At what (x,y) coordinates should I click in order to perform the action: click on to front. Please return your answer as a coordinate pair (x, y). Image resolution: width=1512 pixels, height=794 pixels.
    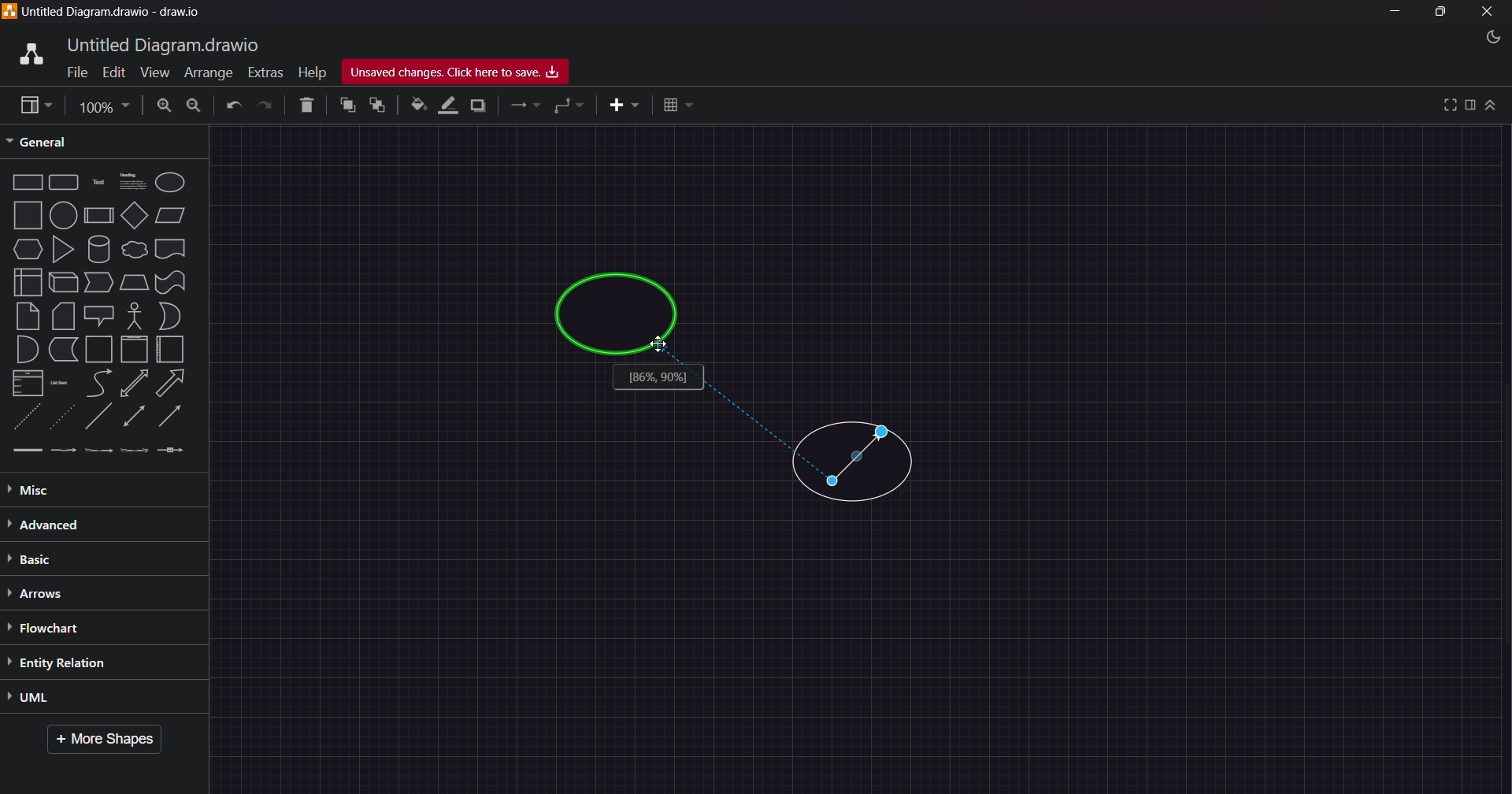
    Looking at the image, I should click on (346, 106).